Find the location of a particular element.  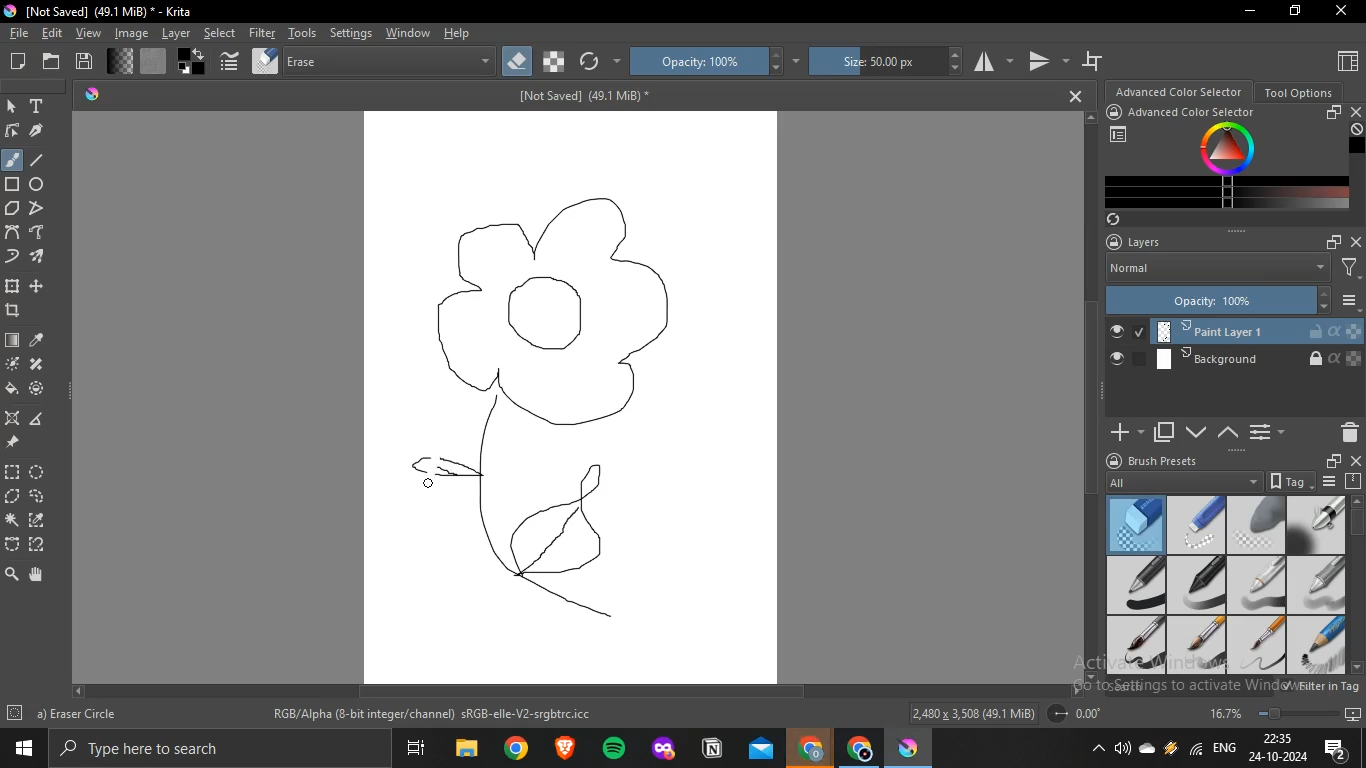

window is located at coordinates (406, 33).